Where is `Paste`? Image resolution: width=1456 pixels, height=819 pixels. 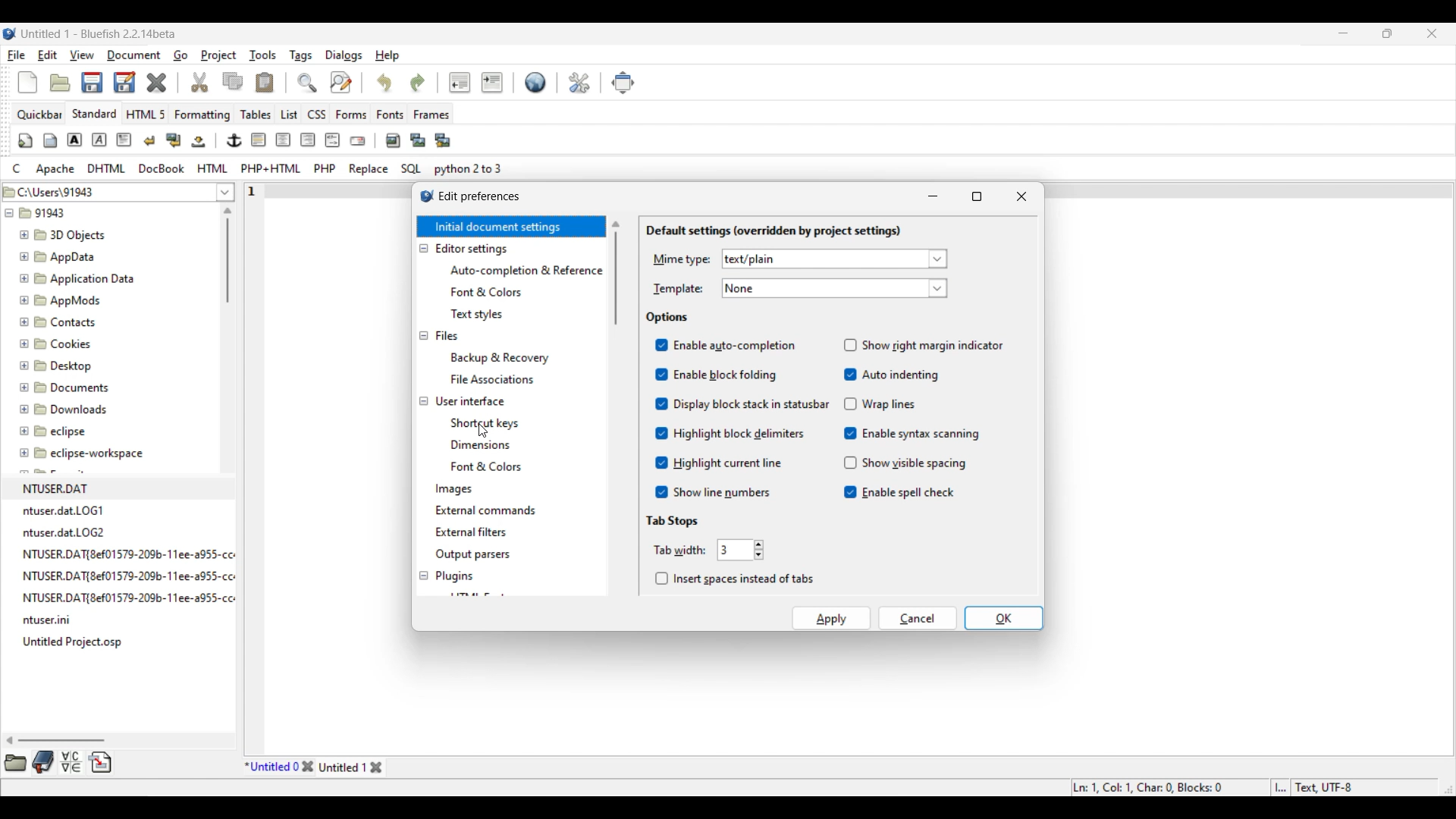
Paste is located at coordinates (265, 82).